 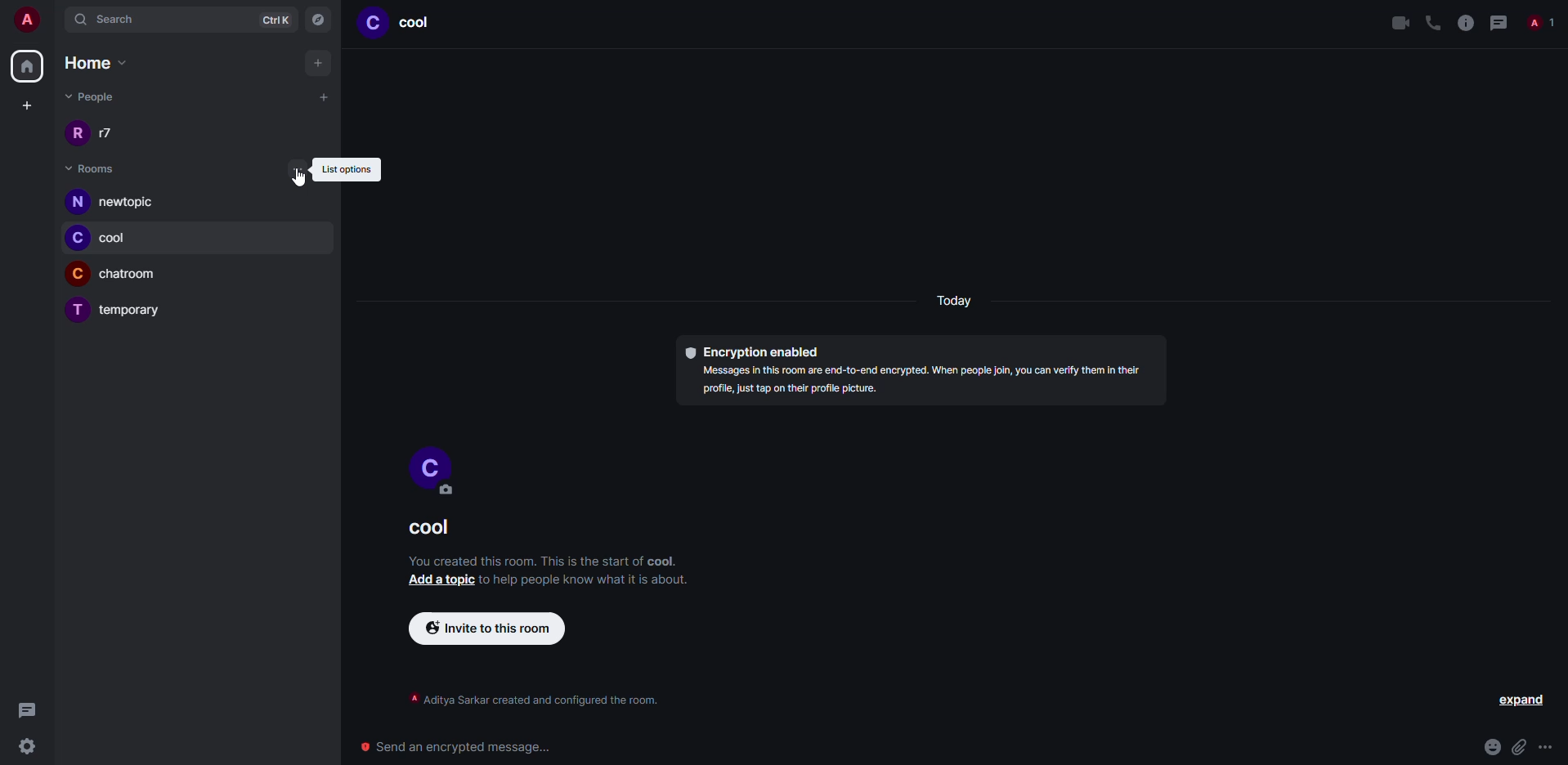 I want to click on temporary, so click(x=135, y=314).